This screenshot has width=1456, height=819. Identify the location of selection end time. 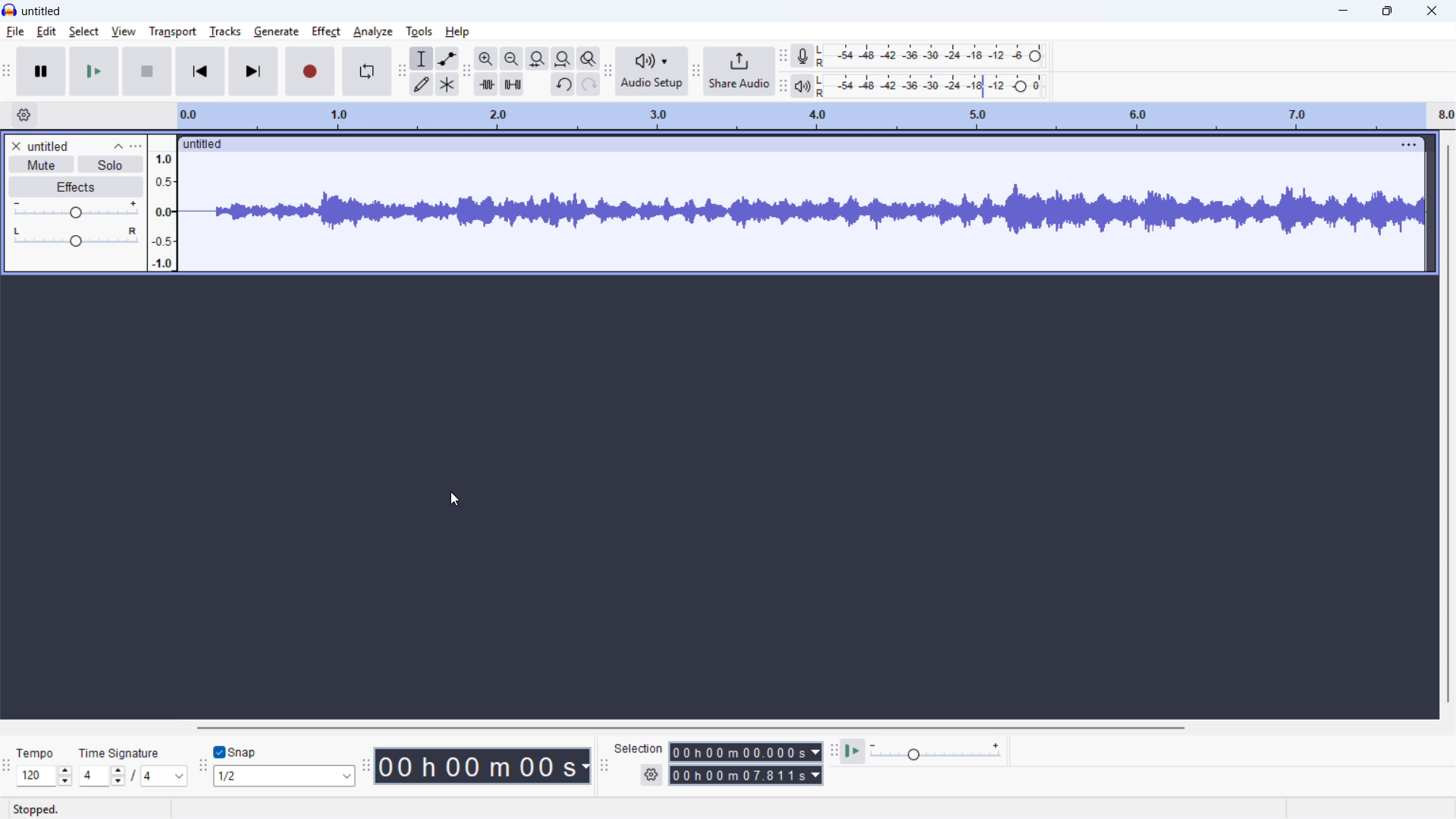
(745, 776).